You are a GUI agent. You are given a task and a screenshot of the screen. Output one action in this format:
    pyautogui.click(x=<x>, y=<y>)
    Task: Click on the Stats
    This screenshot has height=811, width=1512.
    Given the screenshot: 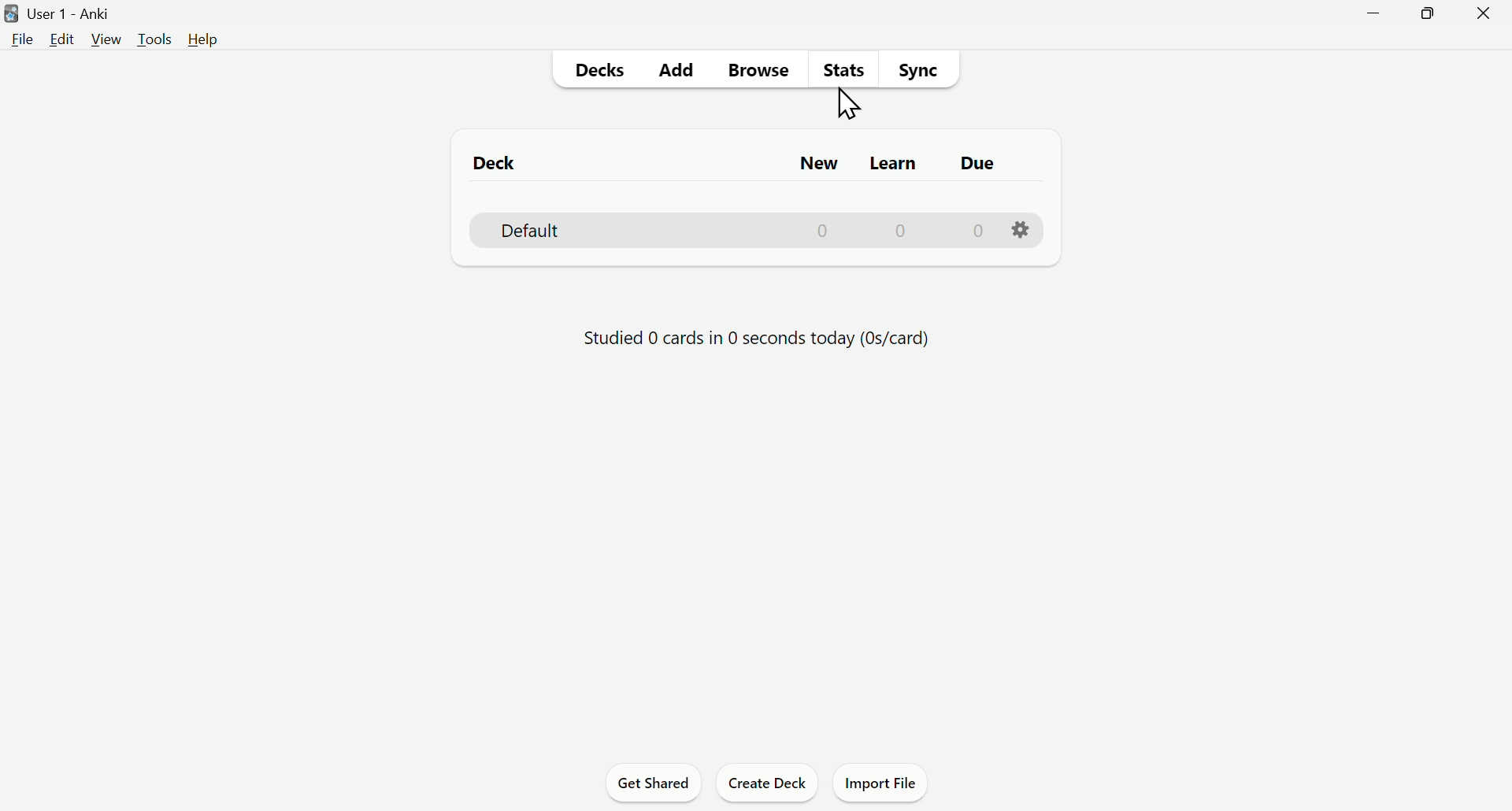 What is the action you would take?
    pyautogui.click(x=832, y=72)
    